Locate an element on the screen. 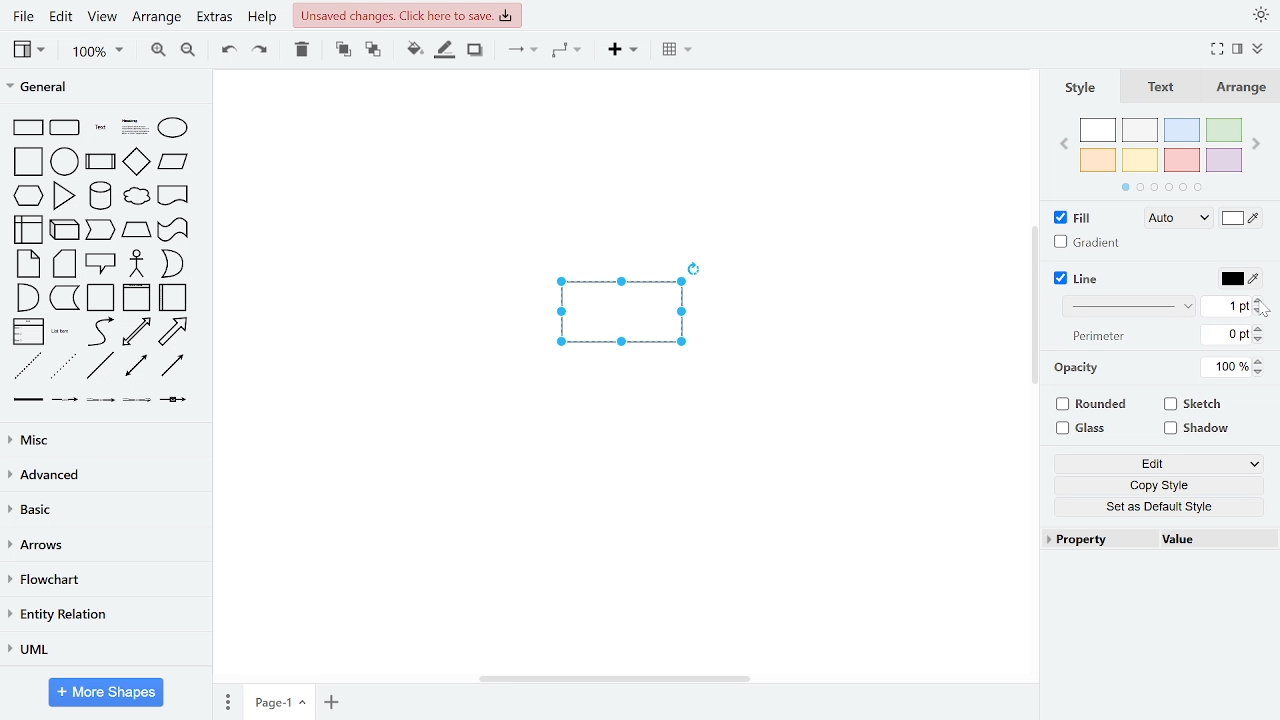 Image resolution: width=1280 pixels, height=720 pixels. general is located at coordinates (103, 89).